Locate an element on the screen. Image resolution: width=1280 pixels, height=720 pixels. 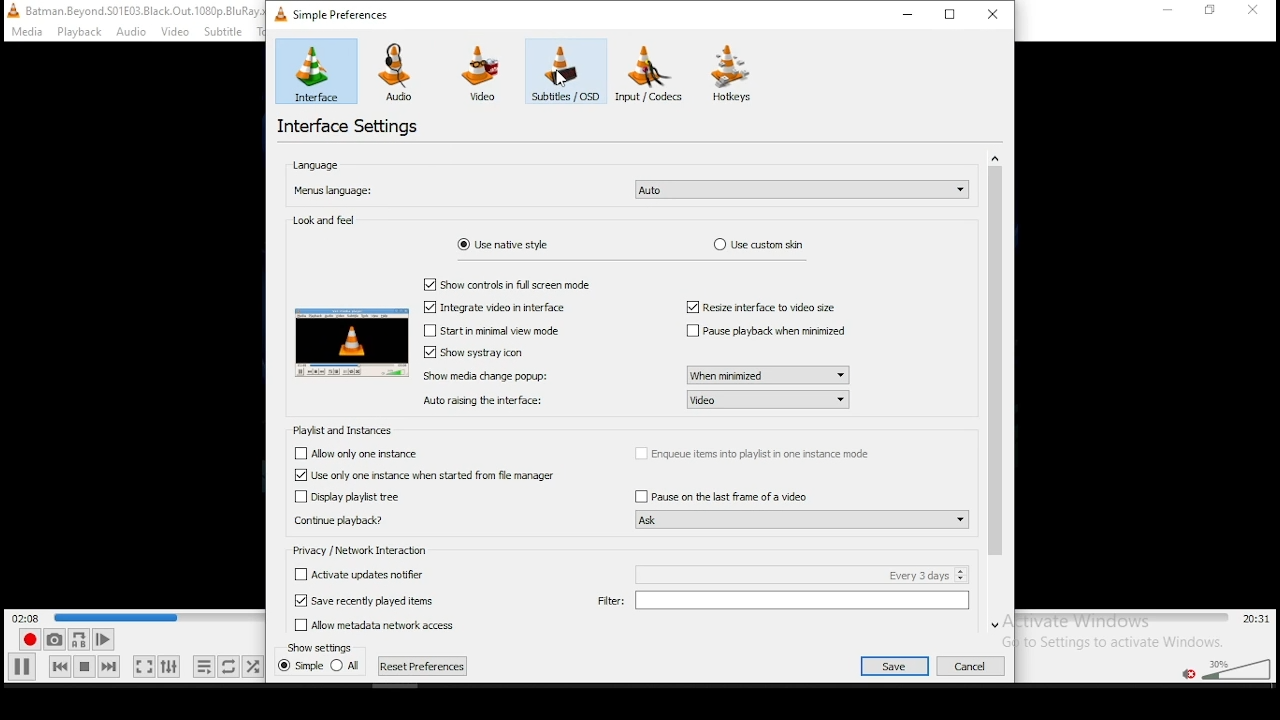
 is located at coordinates (354, 573).